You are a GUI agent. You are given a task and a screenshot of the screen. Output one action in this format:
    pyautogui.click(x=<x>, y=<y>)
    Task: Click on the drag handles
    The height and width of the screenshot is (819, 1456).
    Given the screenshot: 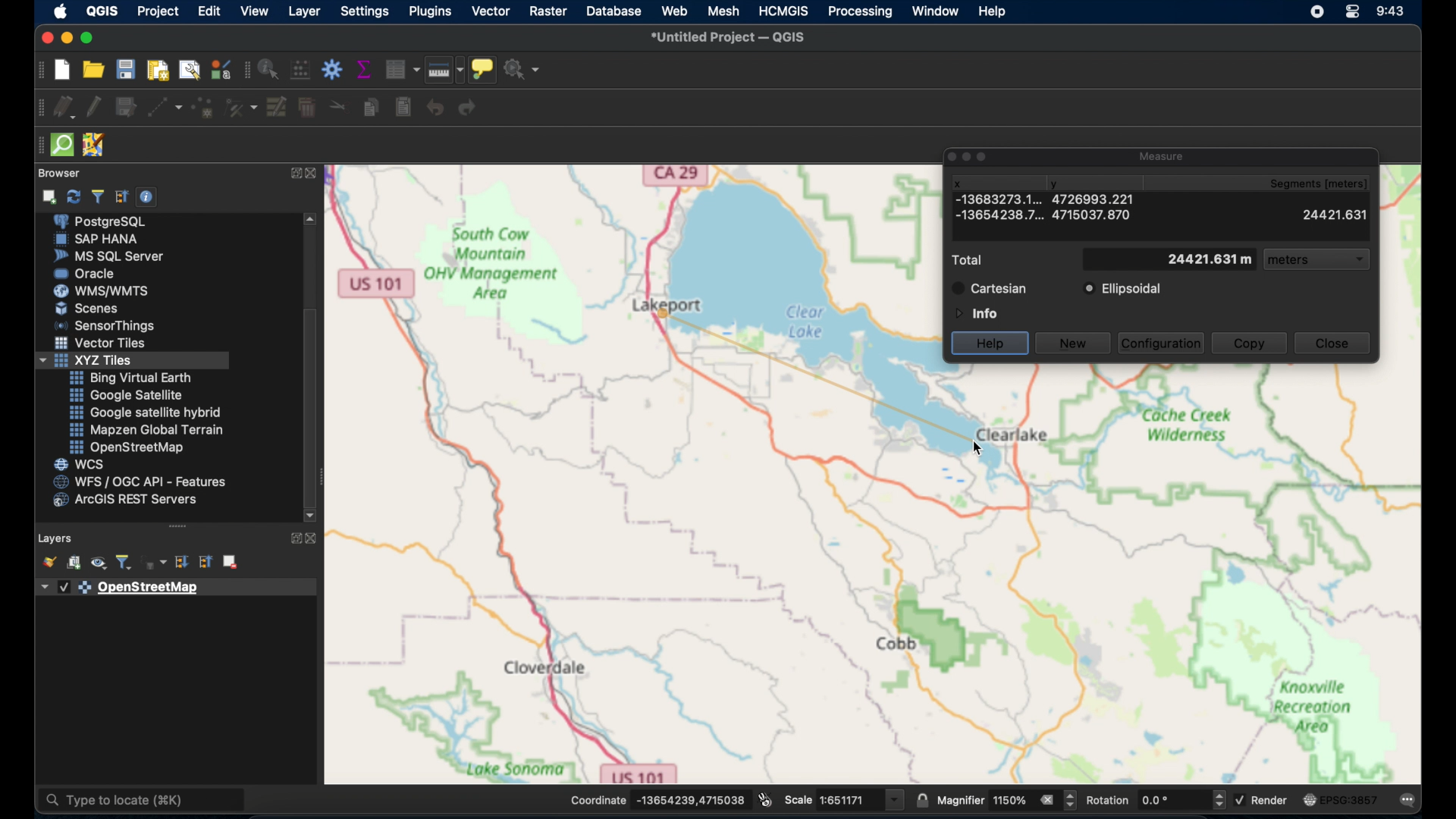 What is the action you would take?
    pyautogui.click(x=37, y=148)
    